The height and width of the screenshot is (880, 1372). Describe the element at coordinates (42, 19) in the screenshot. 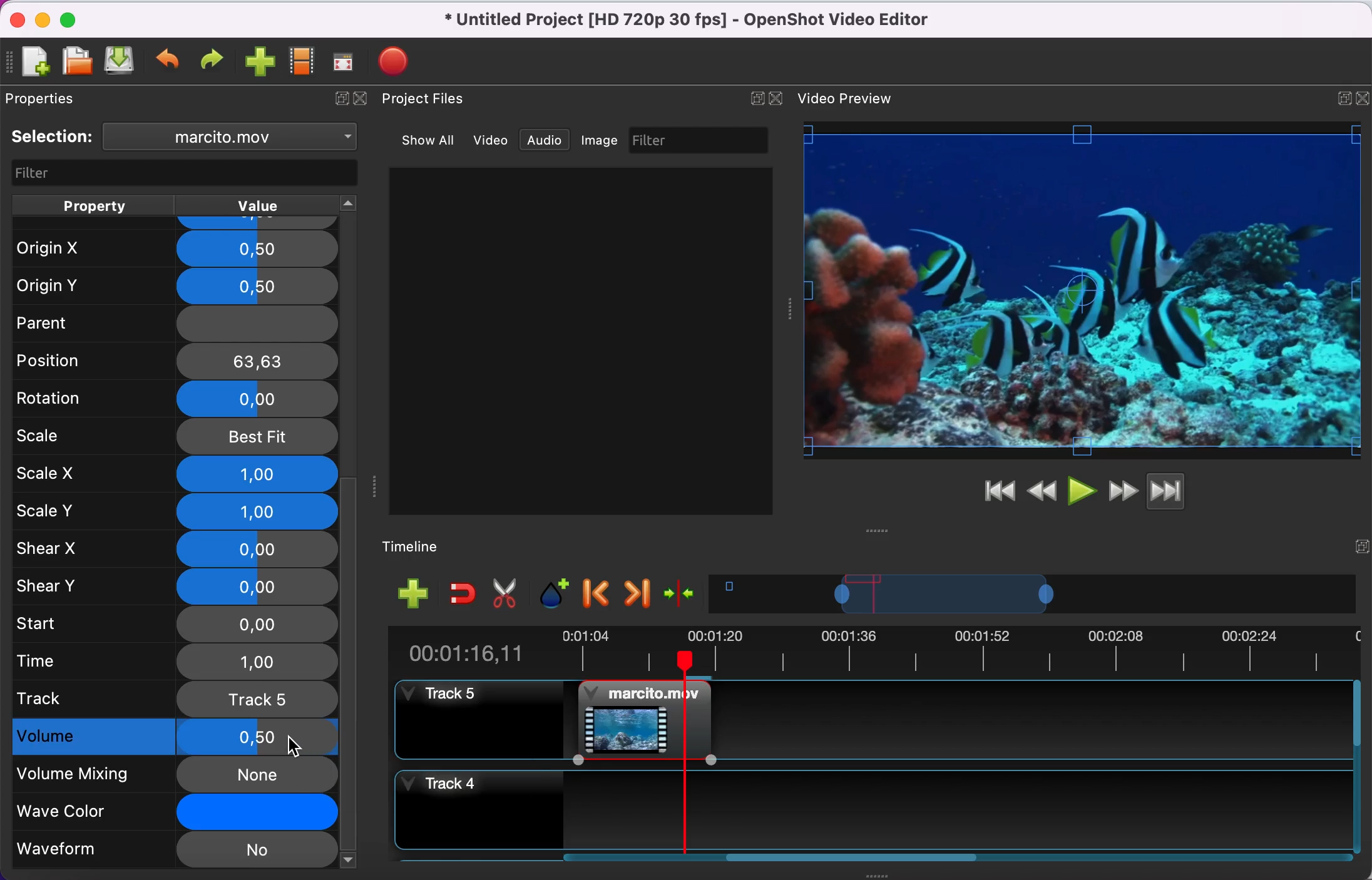

I see `minimize` at that location.